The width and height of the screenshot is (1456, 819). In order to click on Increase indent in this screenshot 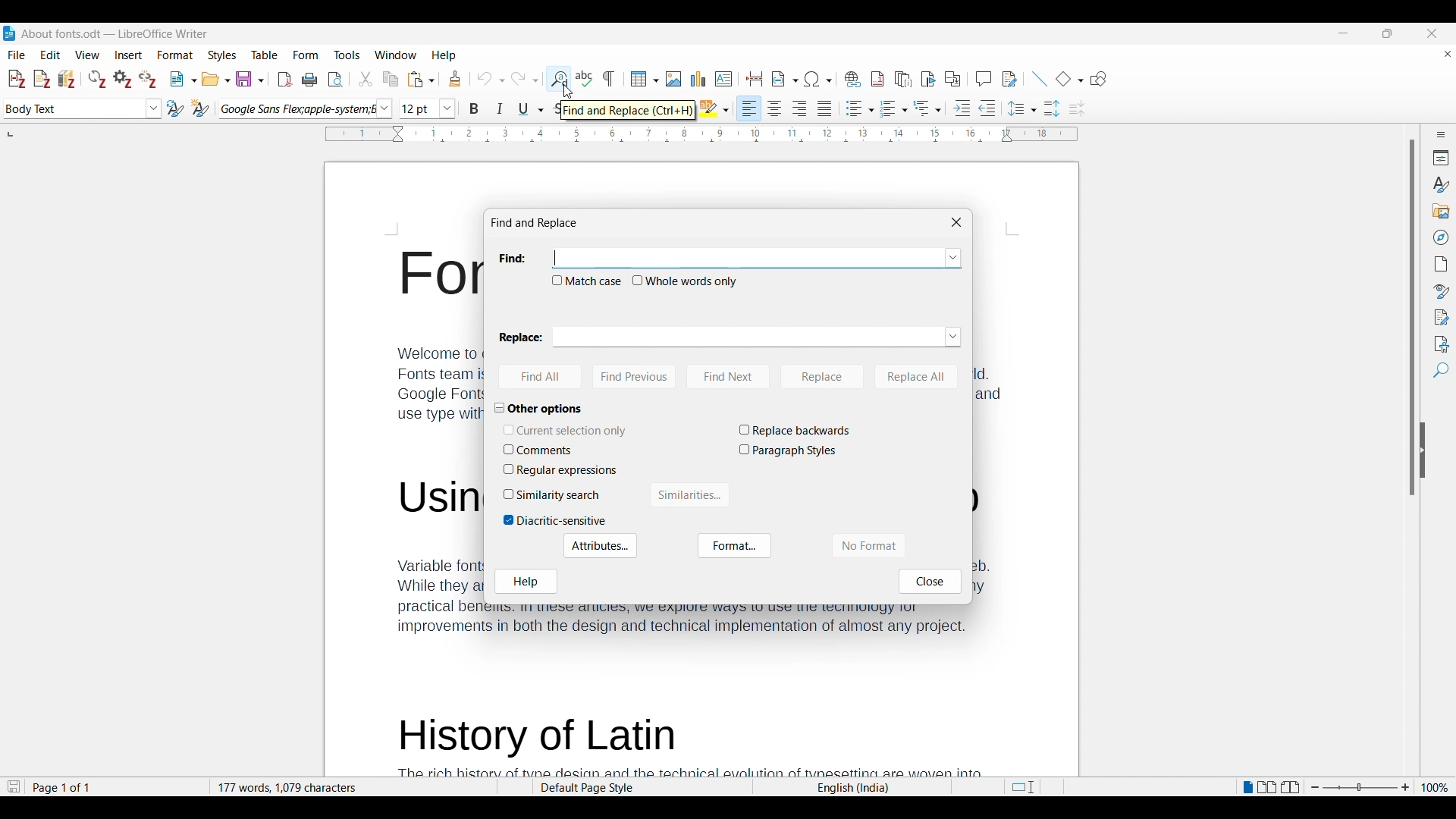, I will do `click(962, 108)`.